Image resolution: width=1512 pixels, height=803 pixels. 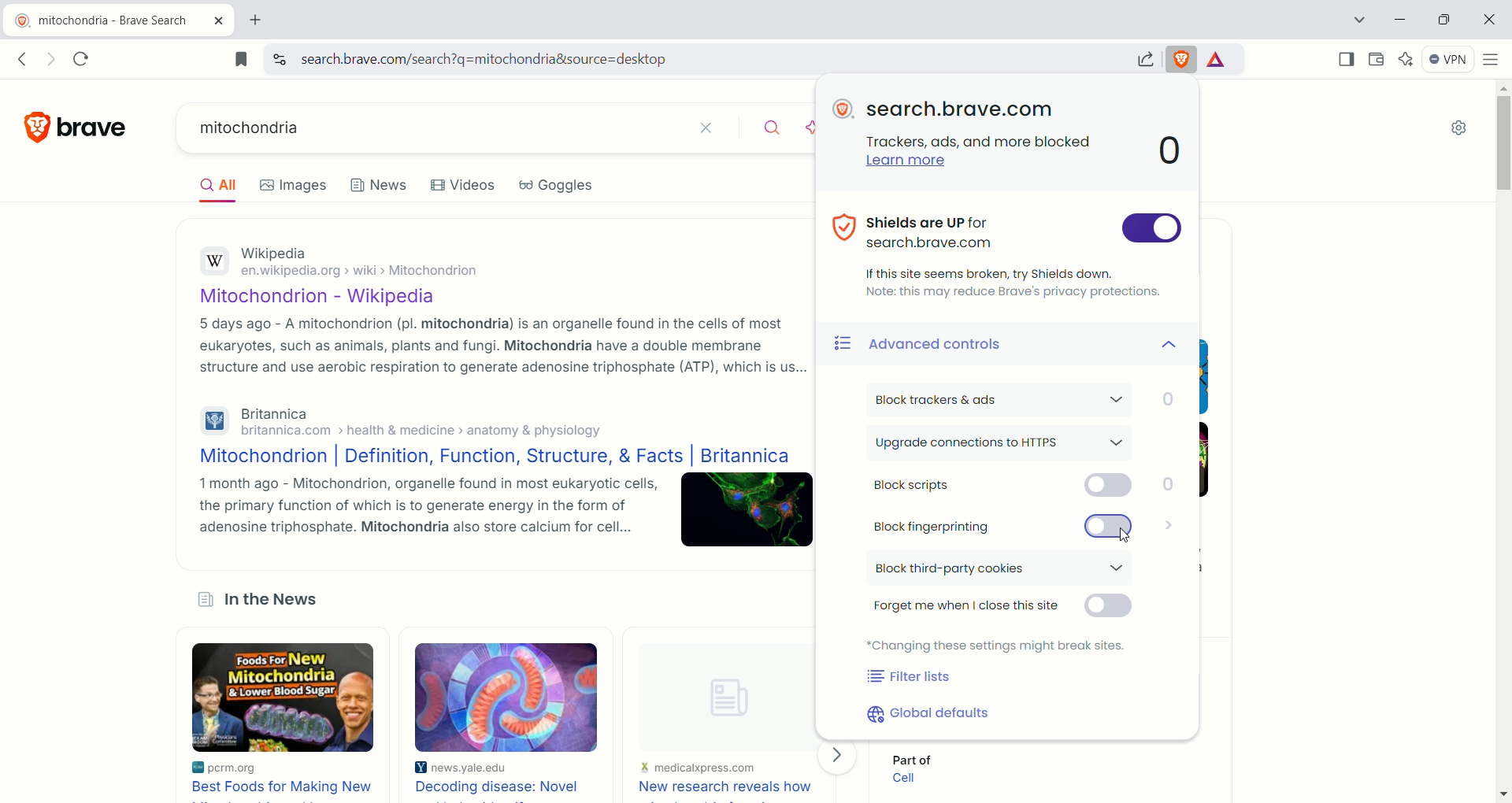 I want to click on Best Foods for Making New, so click(x=284, y=788).